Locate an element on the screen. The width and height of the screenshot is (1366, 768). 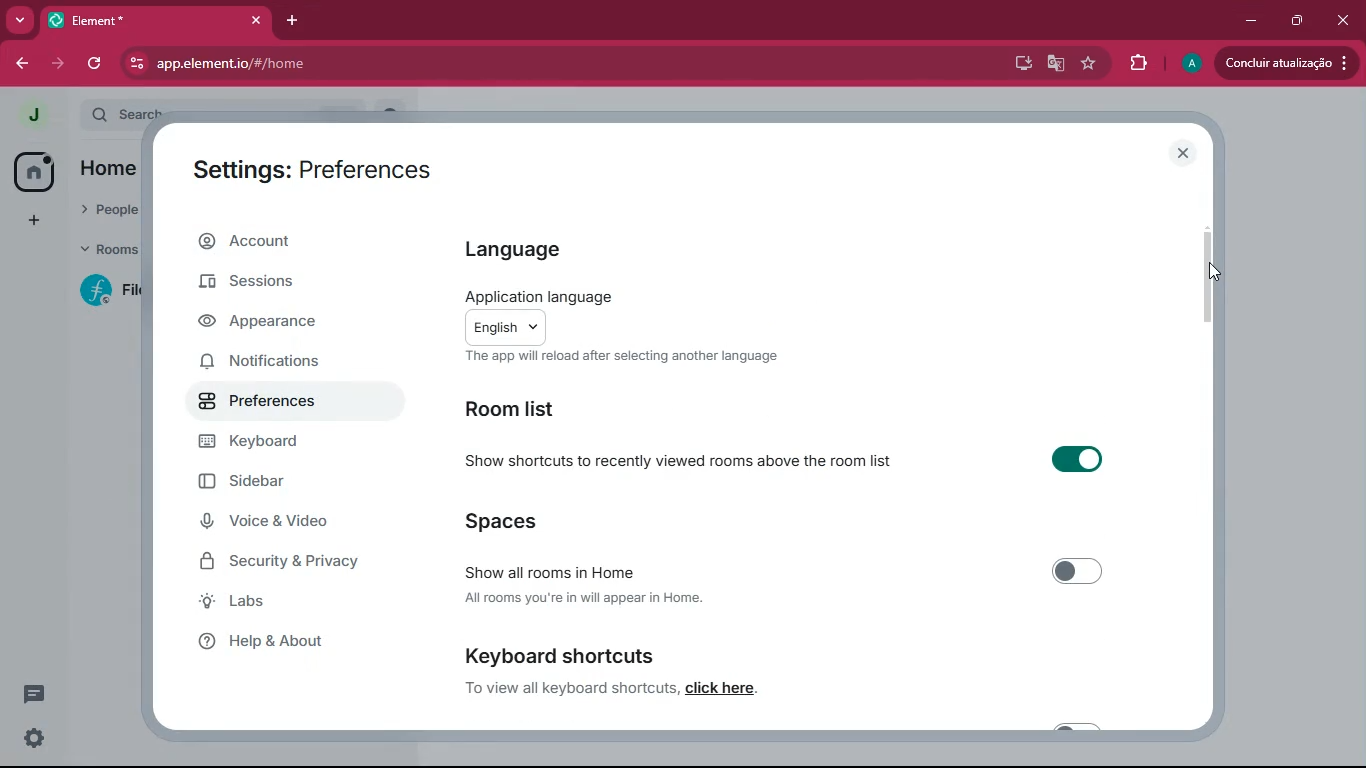
keyboard is located at coordinates (277, 445).